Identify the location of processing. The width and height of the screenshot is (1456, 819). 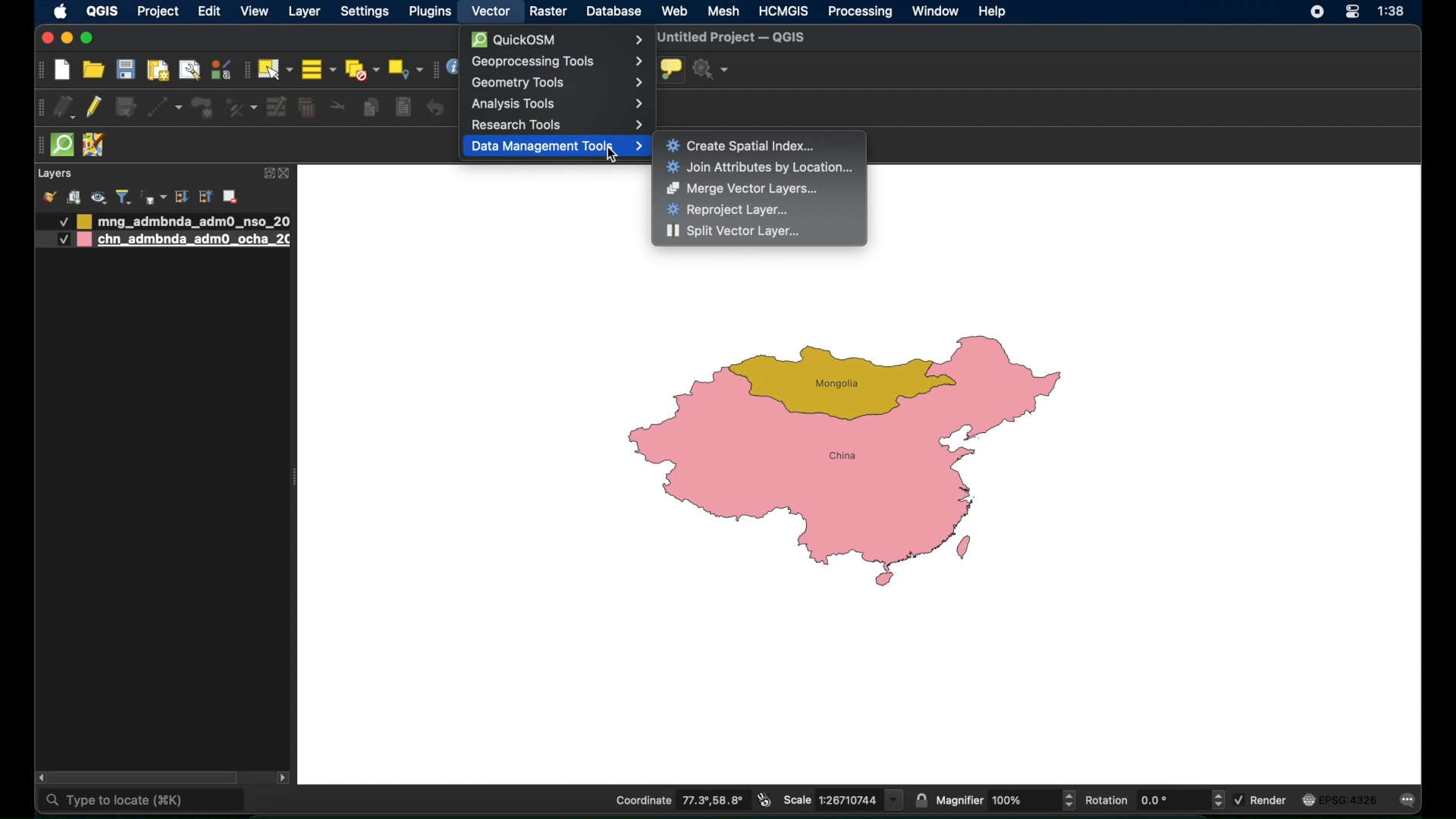
(861, 13).